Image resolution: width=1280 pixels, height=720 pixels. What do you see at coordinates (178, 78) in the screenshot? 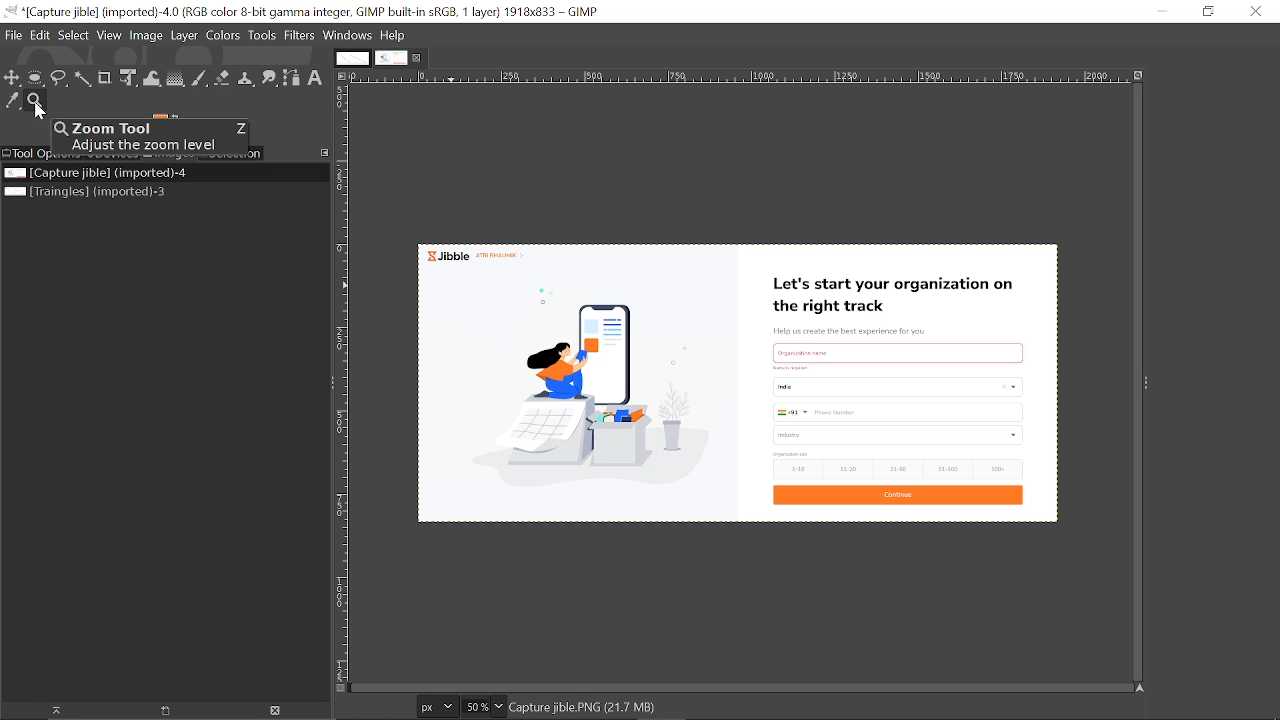
I see `Gradient tool` at bounding box center [178, 78].